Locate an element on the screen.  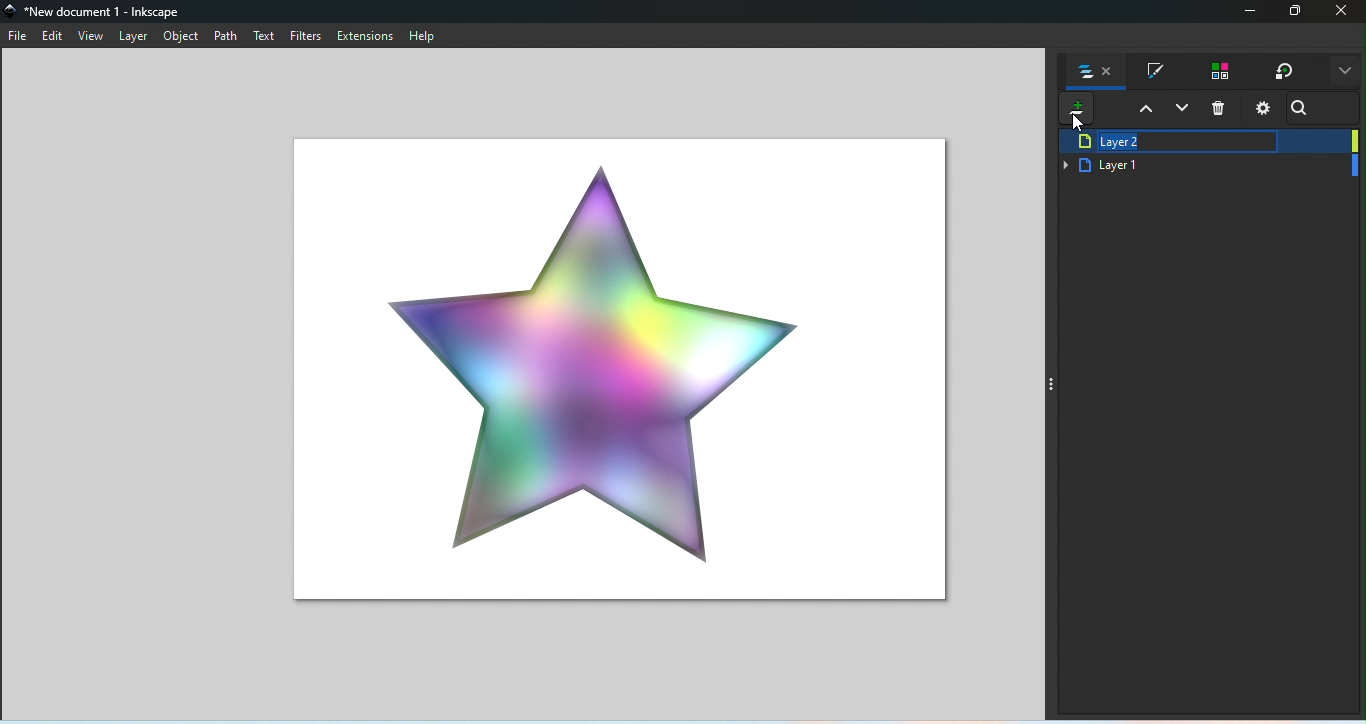
Transform is located at coordinates (1284, 72).